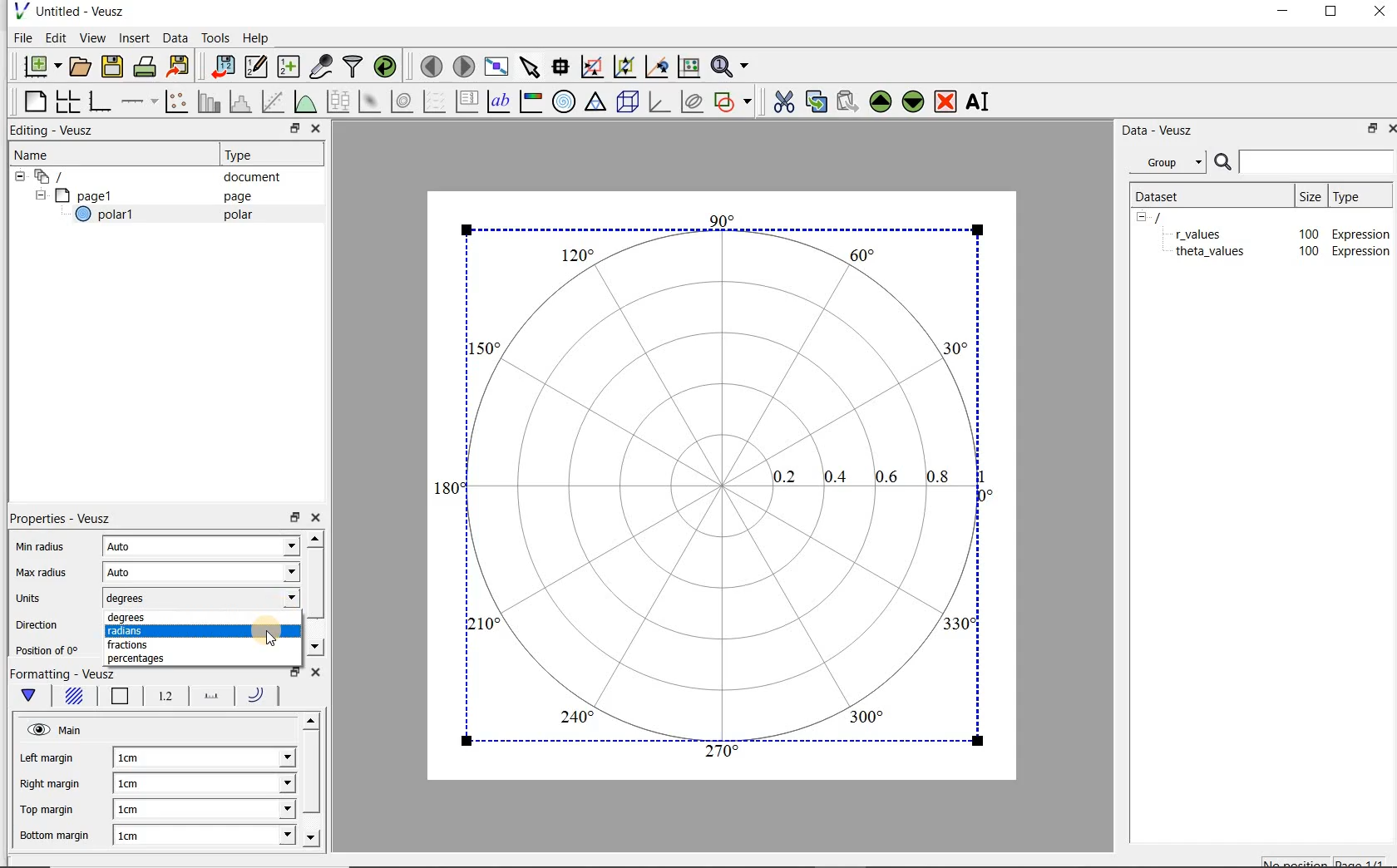 The width and height of the screenshot is (1397, 868). What do you see at coordinates (1368, 131) in the screenshot?
I see `restore down` at bounding box center [1368, 131].